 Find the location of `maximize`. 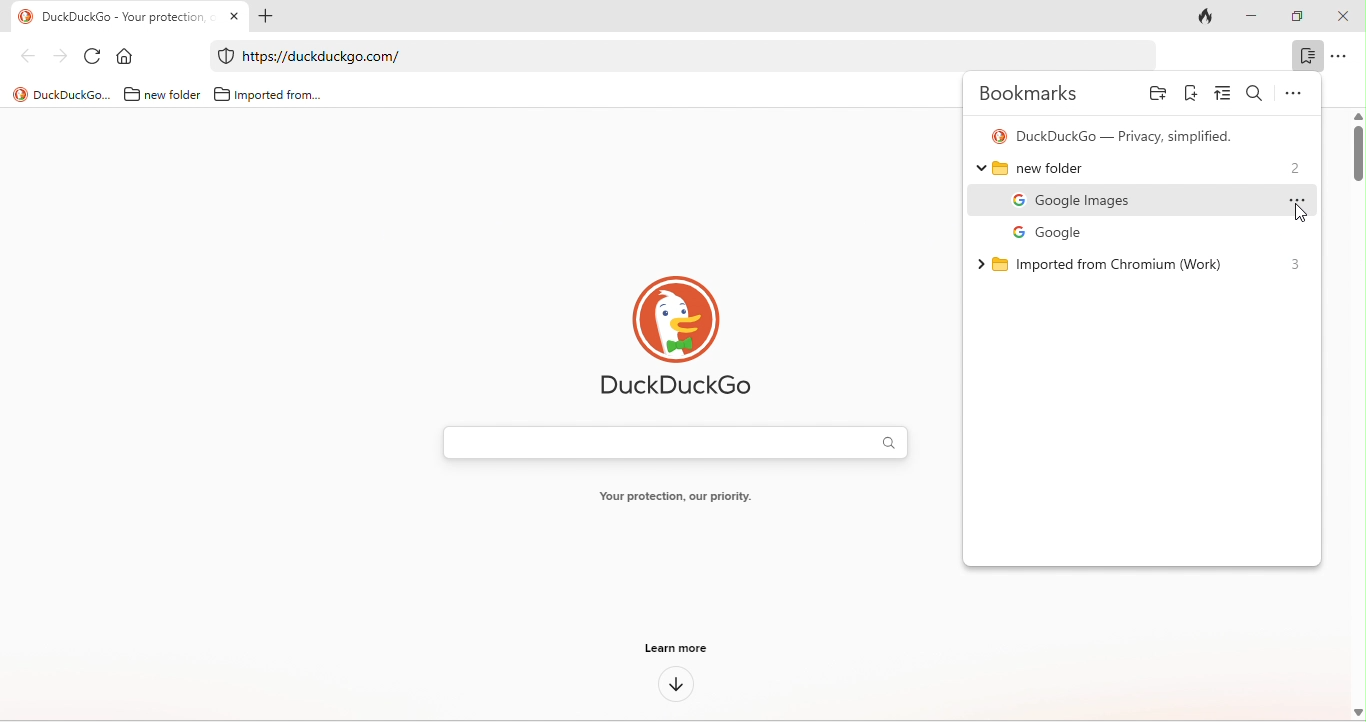

maximize is located at coordinates (1301, 17).